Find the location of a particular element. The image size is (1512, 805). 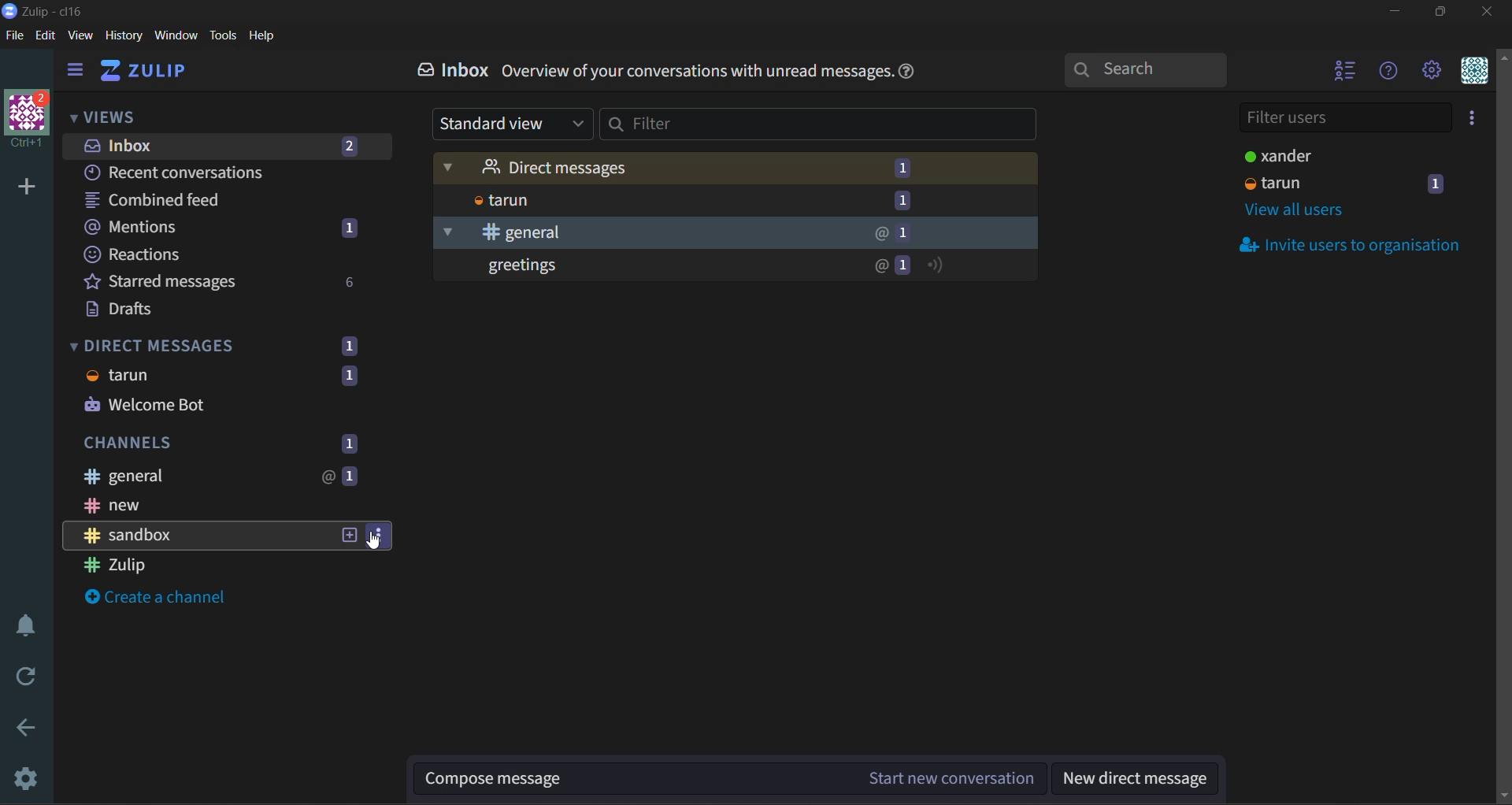

add is located at coordinates (350, 535).